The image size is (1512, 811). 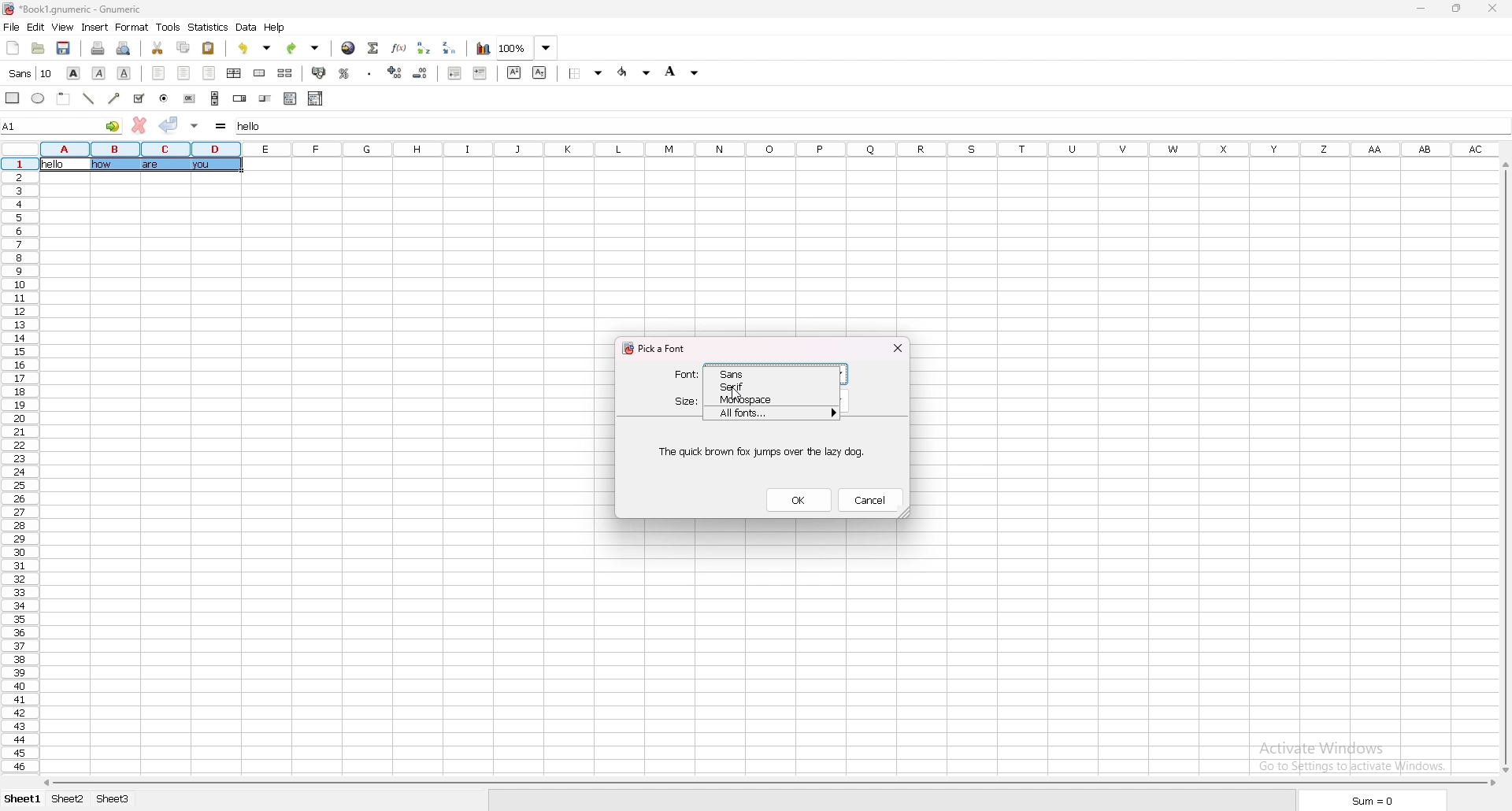 What do you see at coordinates (455, 73) in the screenshot?
I see `decrease indent` at bounding box center [455, 73].